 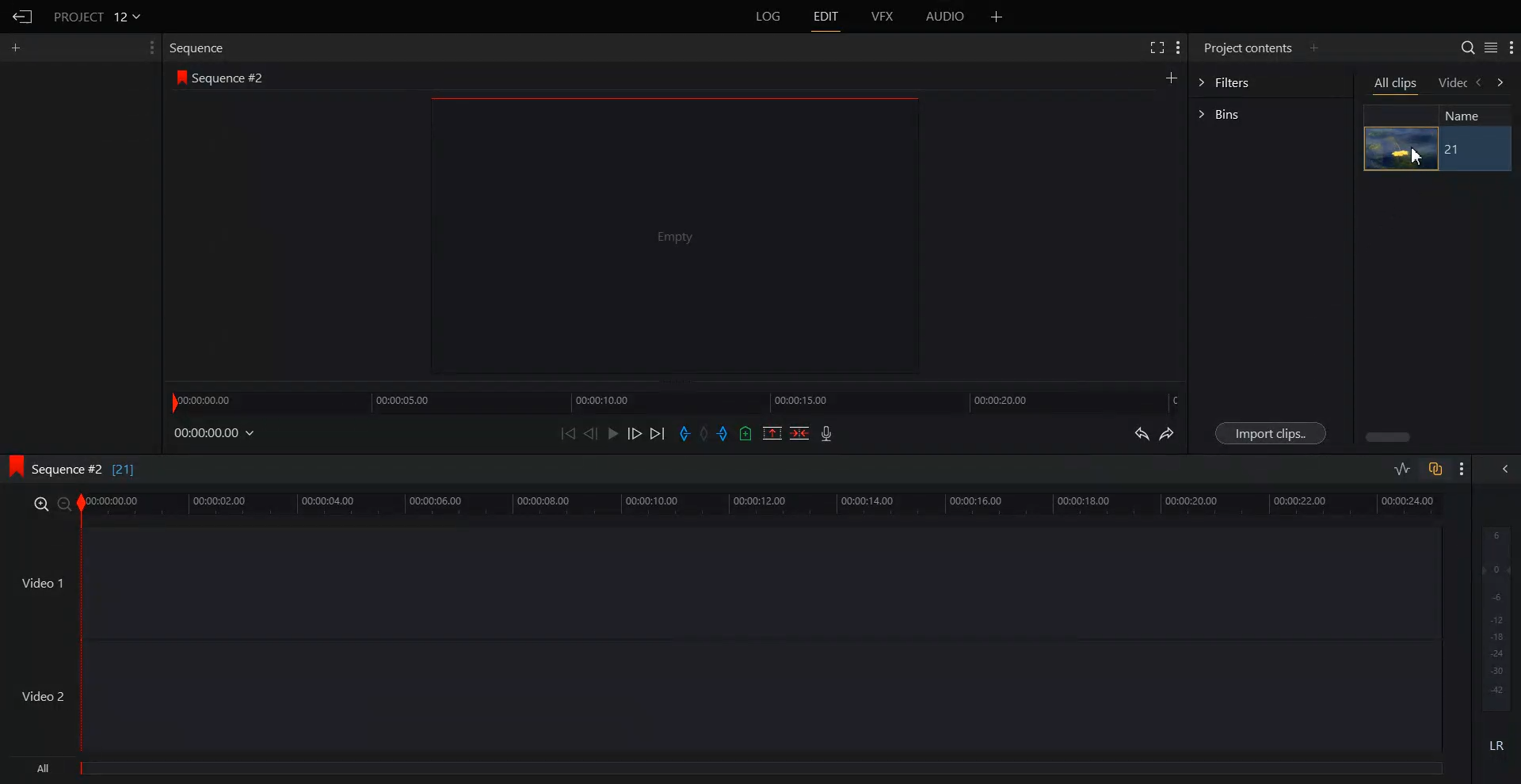 What do you see at coordinates (1496, 617) in the screenshot?
I see `Audio output in Db` at bounding box center [1496, 617].